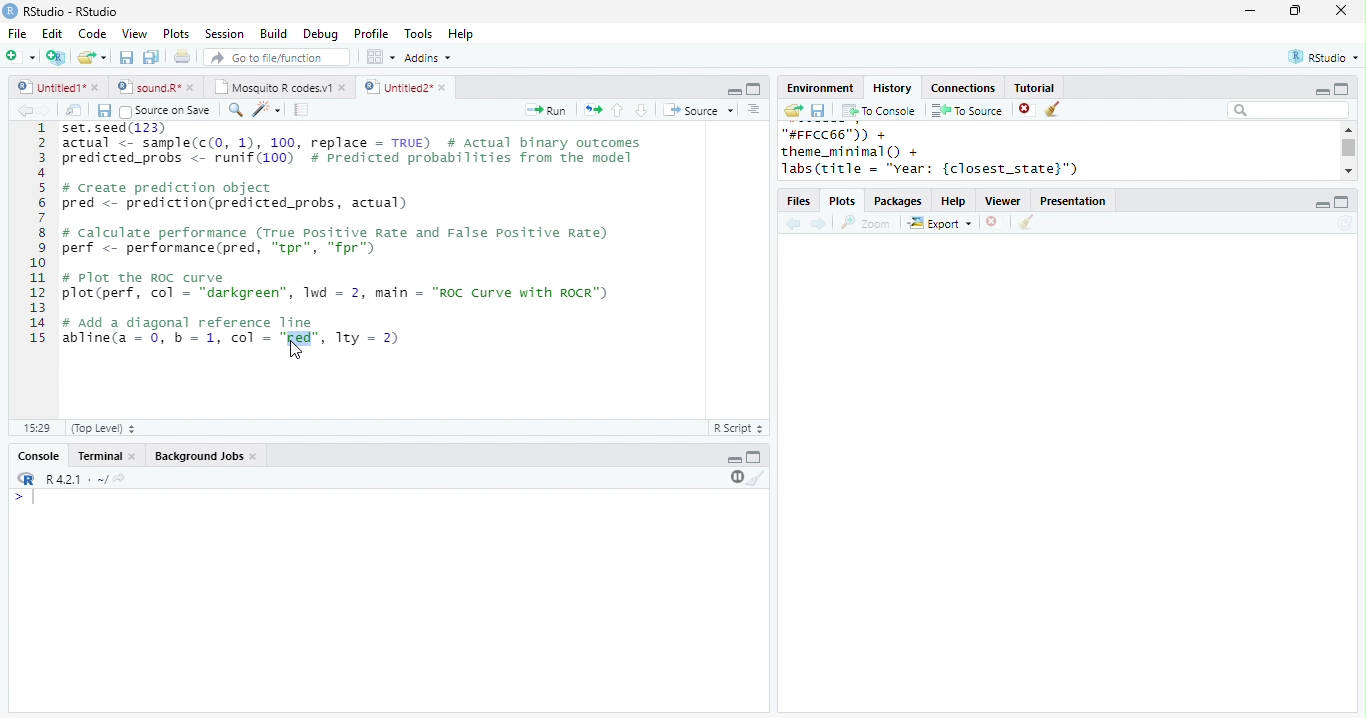  I want to click on print, so click(183, 56).